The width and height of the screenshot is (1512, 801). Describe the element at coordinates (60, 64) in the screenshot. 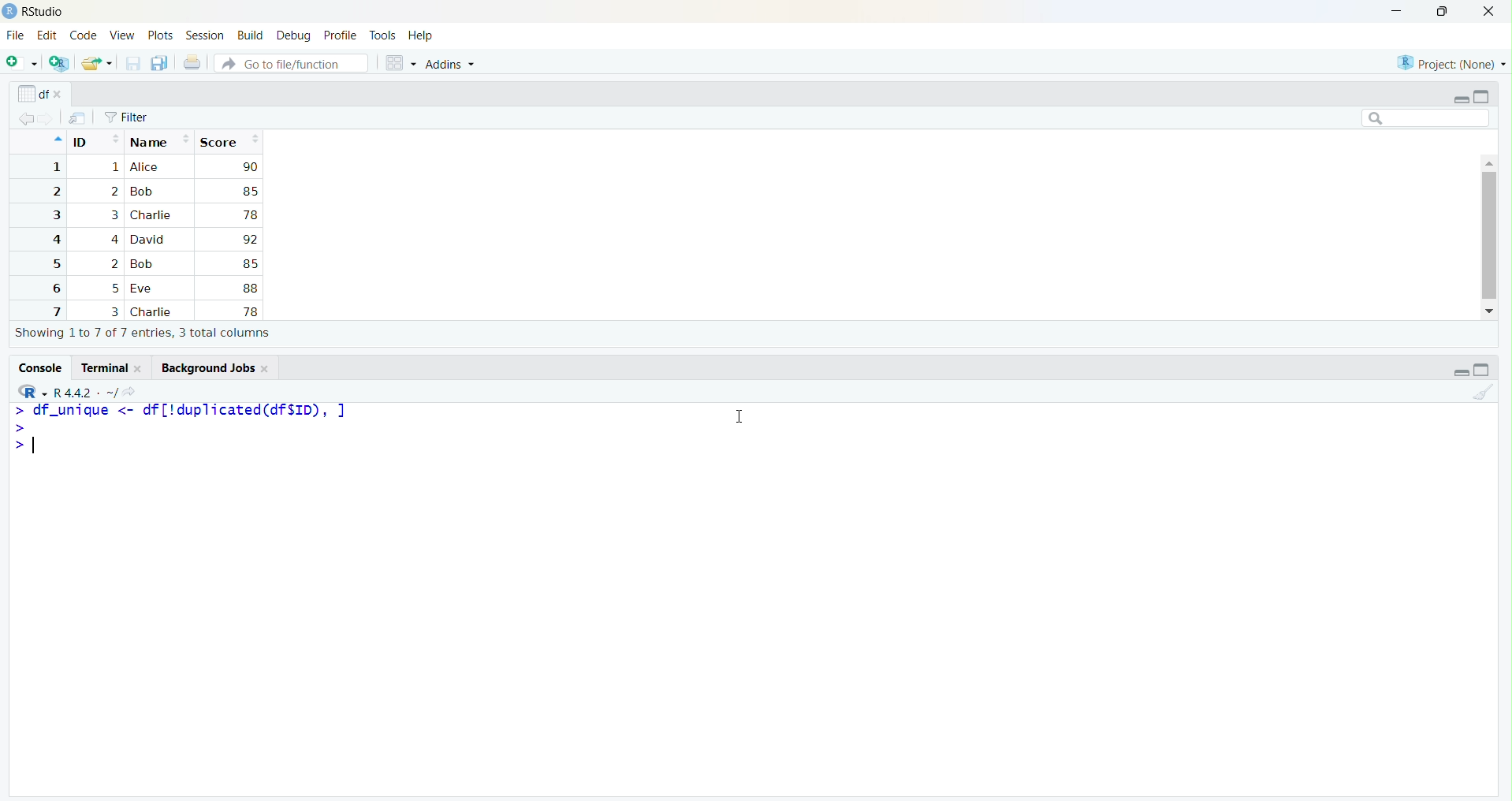

I see `New project` at that location.